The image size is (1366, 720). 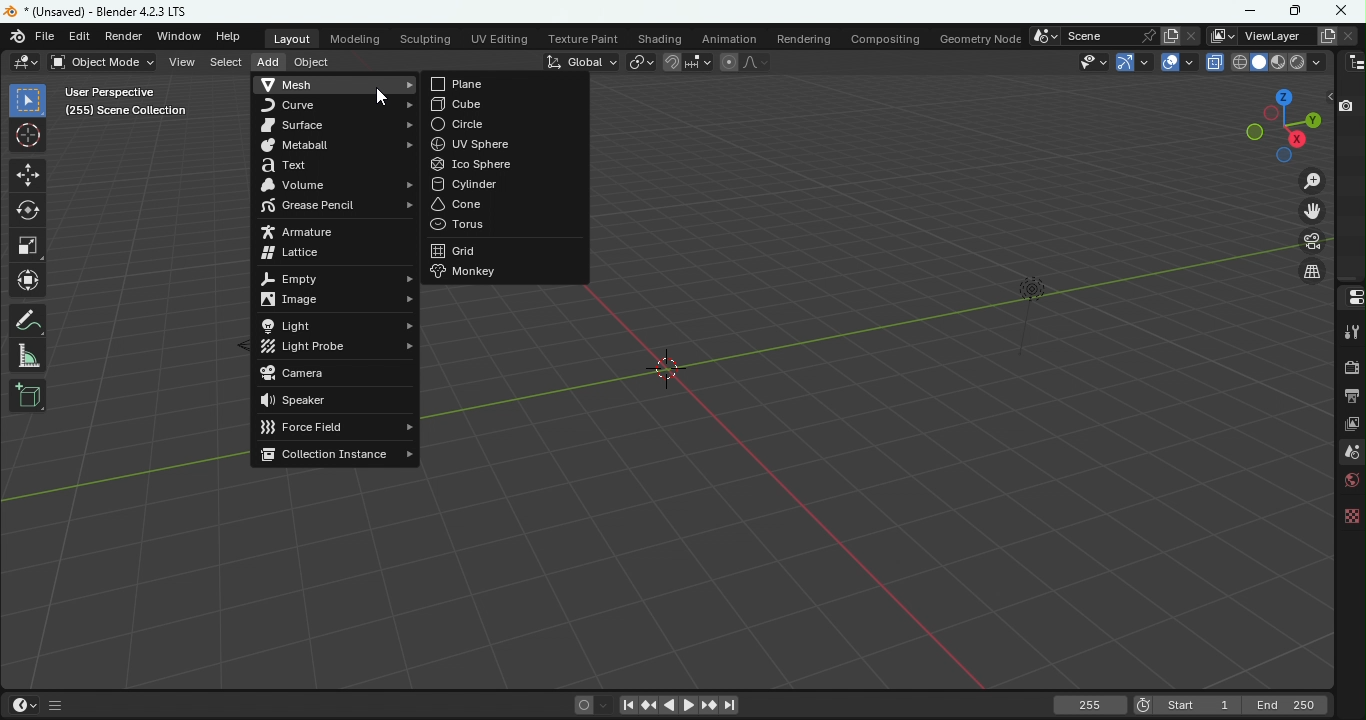 I want to click on World, so click(x=1346, y=484).